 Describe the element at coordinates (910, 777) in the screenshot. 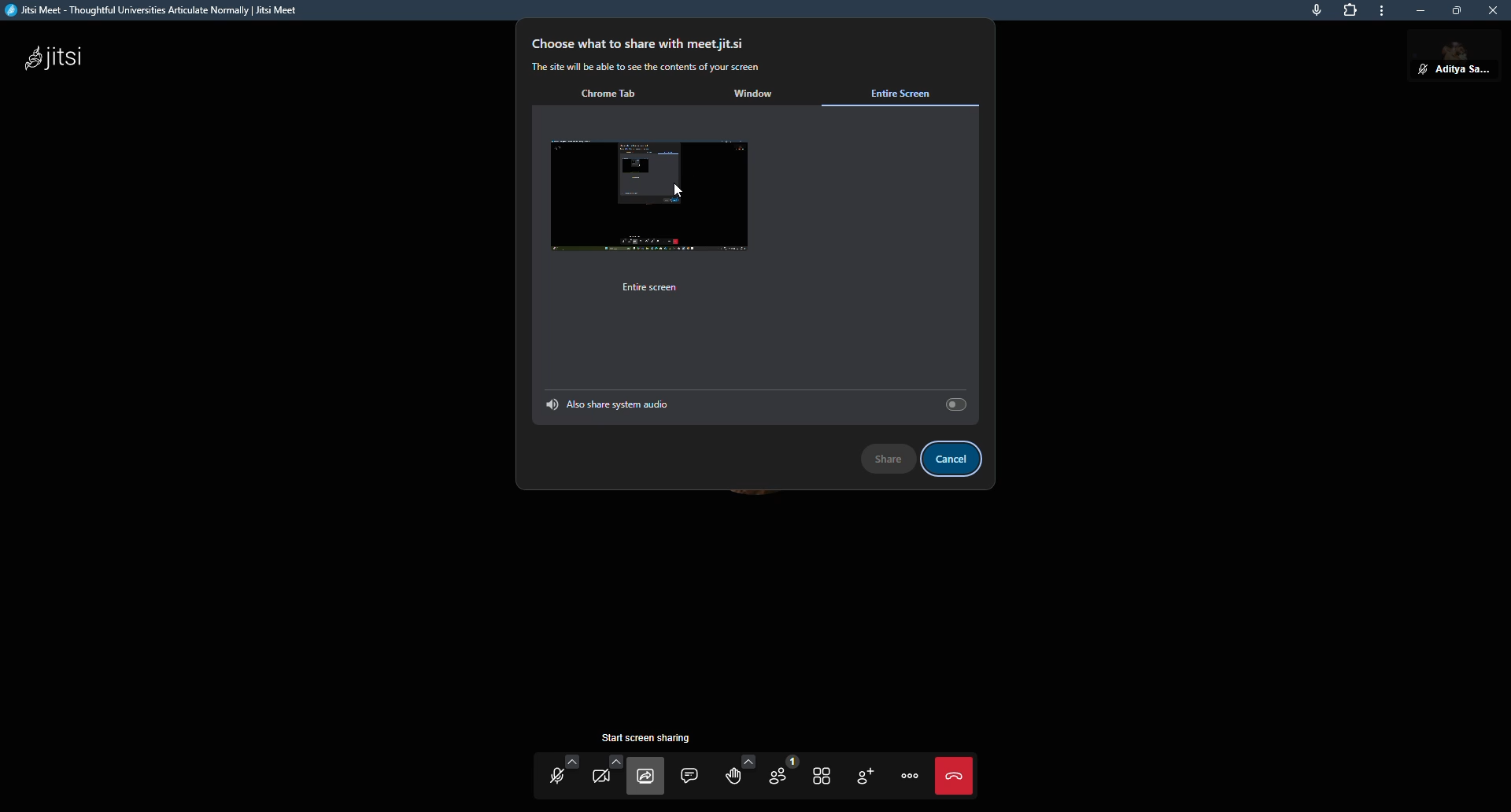

I see `more actions` at that location.